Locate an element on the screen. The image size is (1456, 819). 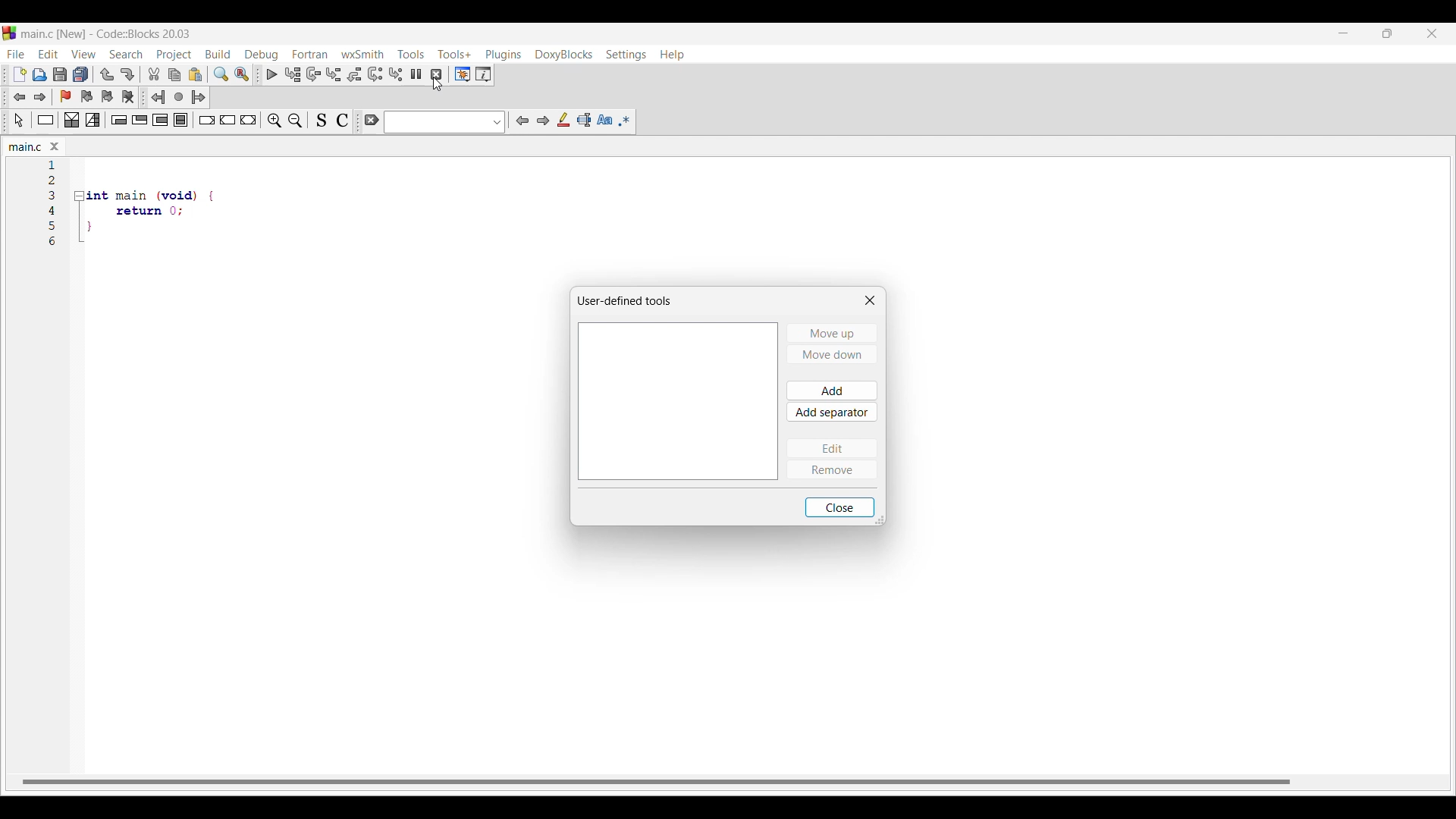
Redo is located at coordinates (127, 74).